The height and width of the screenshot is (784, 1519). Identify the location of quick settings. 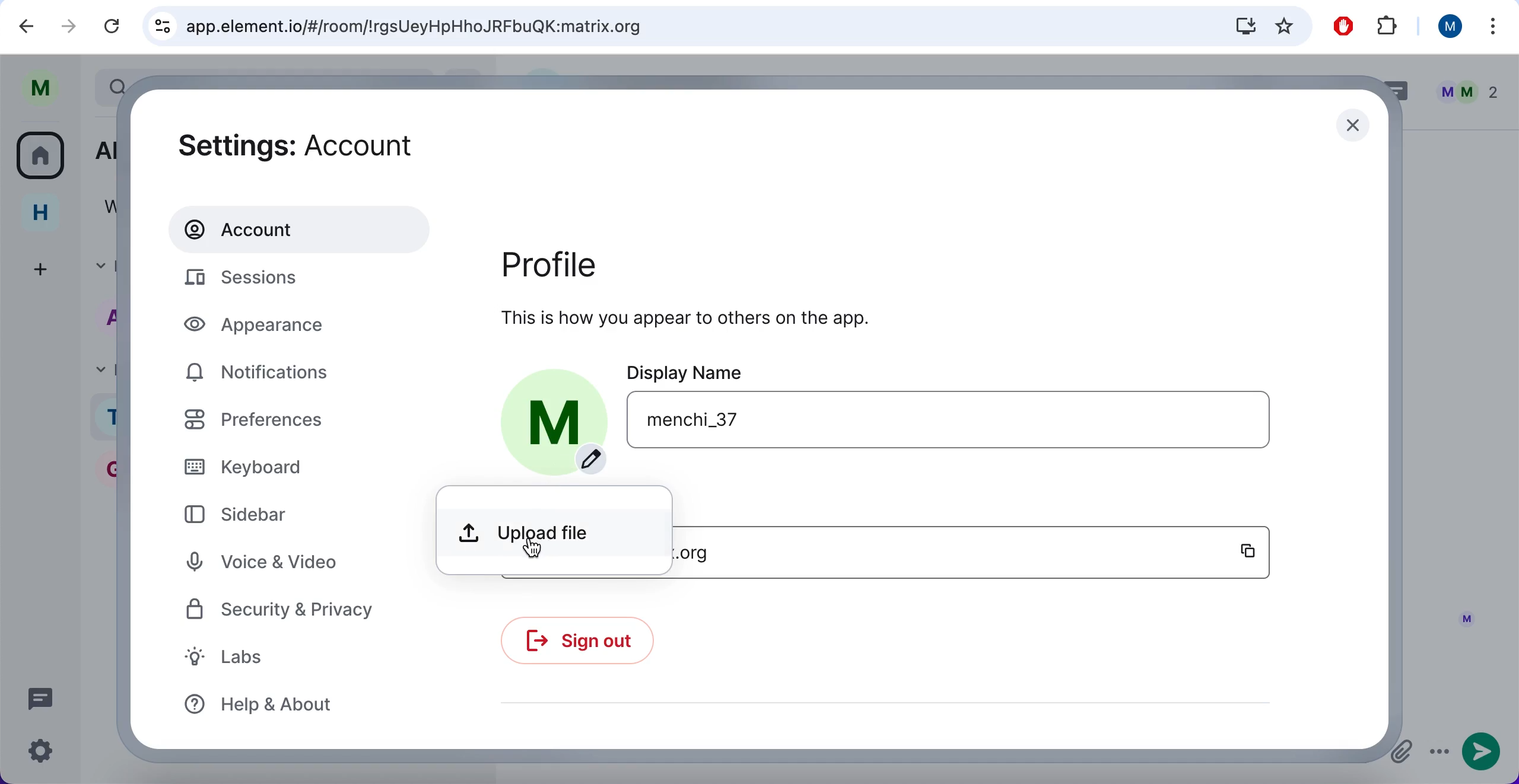
(42, 751).